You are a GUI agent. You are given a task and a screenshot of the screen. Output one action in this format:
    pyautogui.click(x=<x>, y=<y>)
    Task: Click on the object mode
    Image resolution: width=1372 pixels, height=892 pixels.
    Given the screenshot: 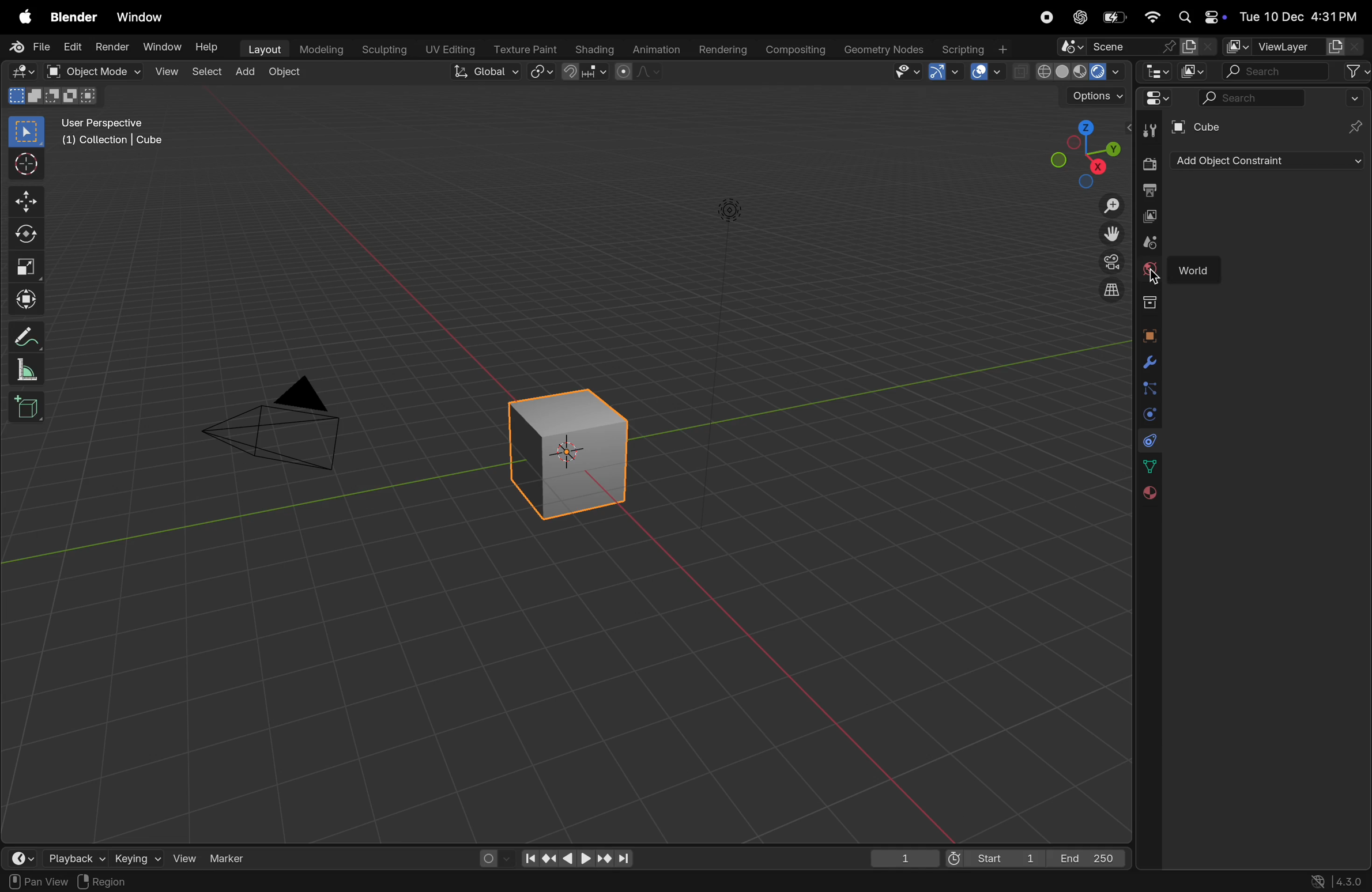 What is the action you would take?
    pyautogui.click(x=96, y=71)
    